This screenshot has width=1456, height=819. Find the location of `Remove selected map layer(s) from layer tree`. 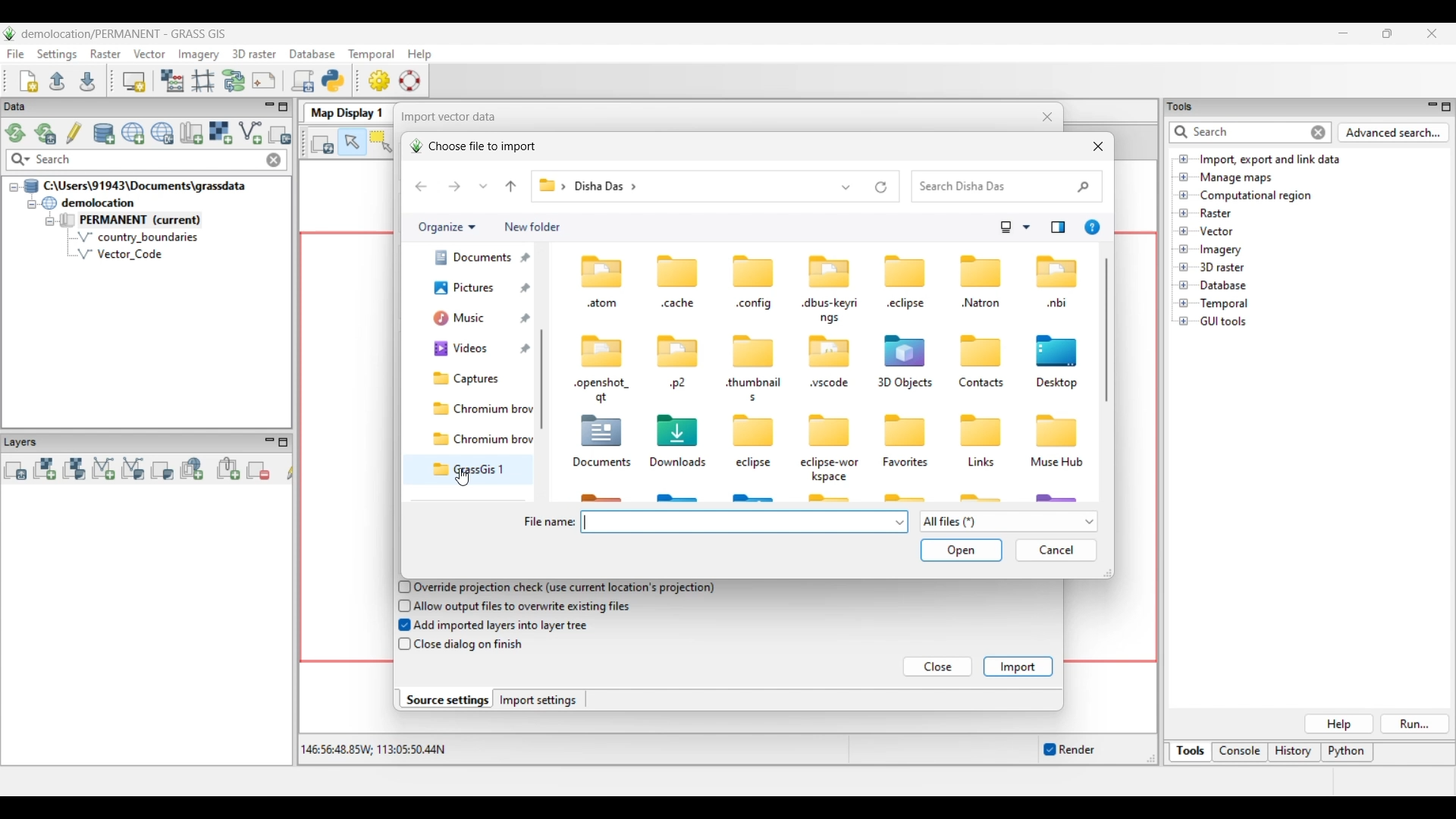

Remove selected map layer(s) from layer tree is located at coordinates (259, 469).